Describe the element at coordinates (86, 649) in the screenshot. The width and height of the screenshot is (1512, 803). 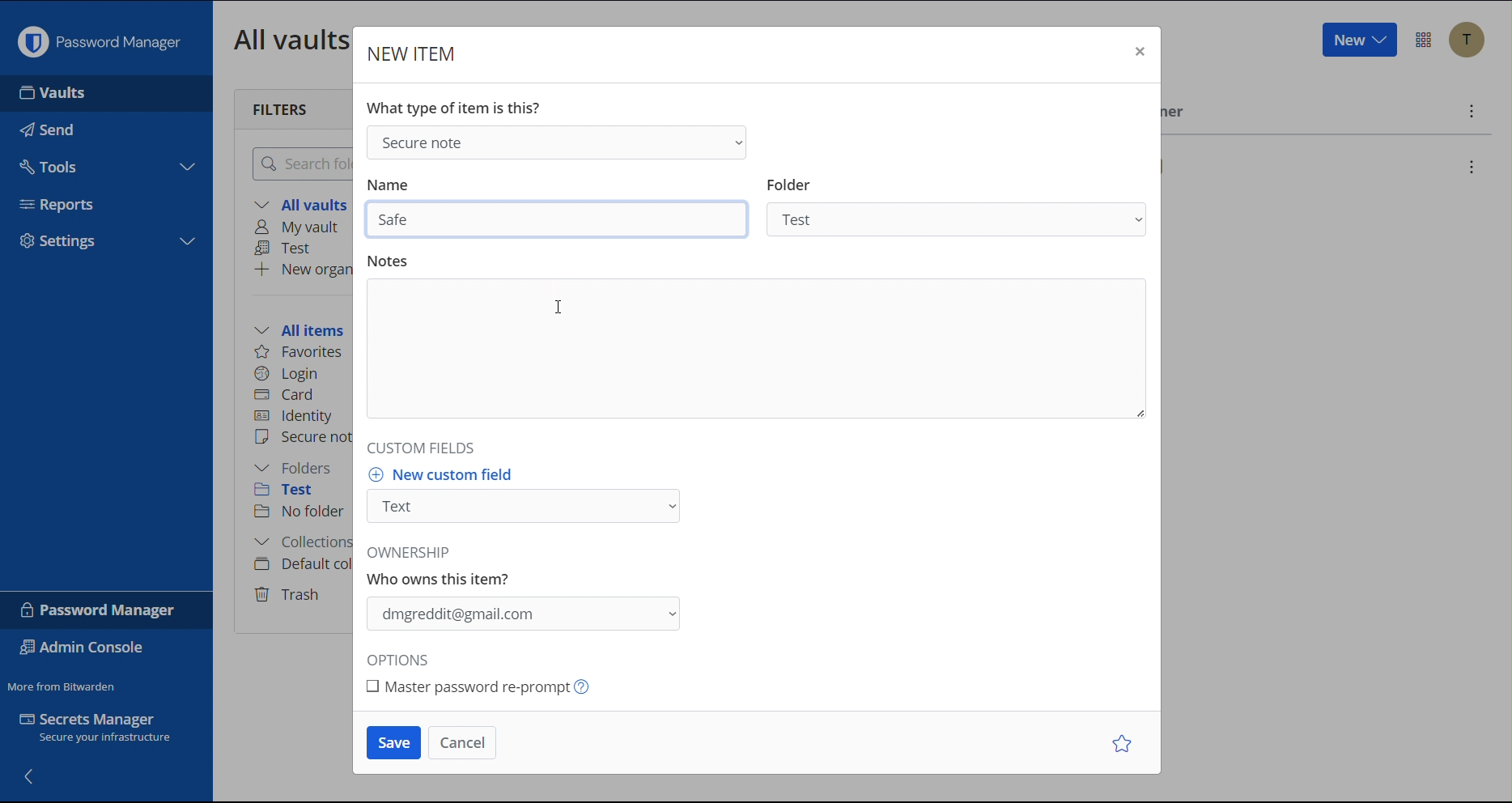
I see `Admin Console` at that location.